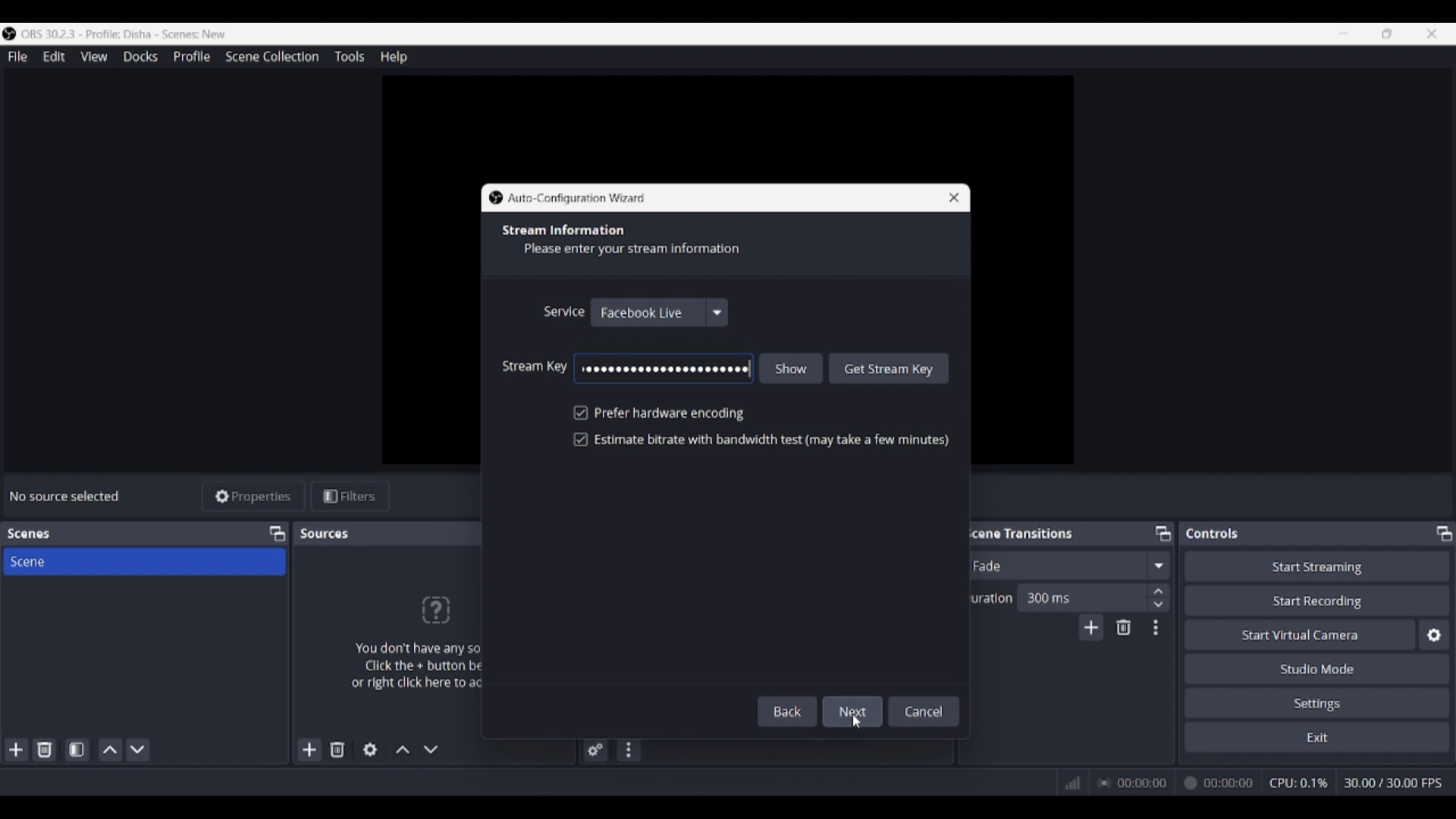 This screenshot has width=1456, height=819. What do you see at coordinates (987, 598) in the screenshot?
I see `Indicates duration` at bounding box center [987, 598].